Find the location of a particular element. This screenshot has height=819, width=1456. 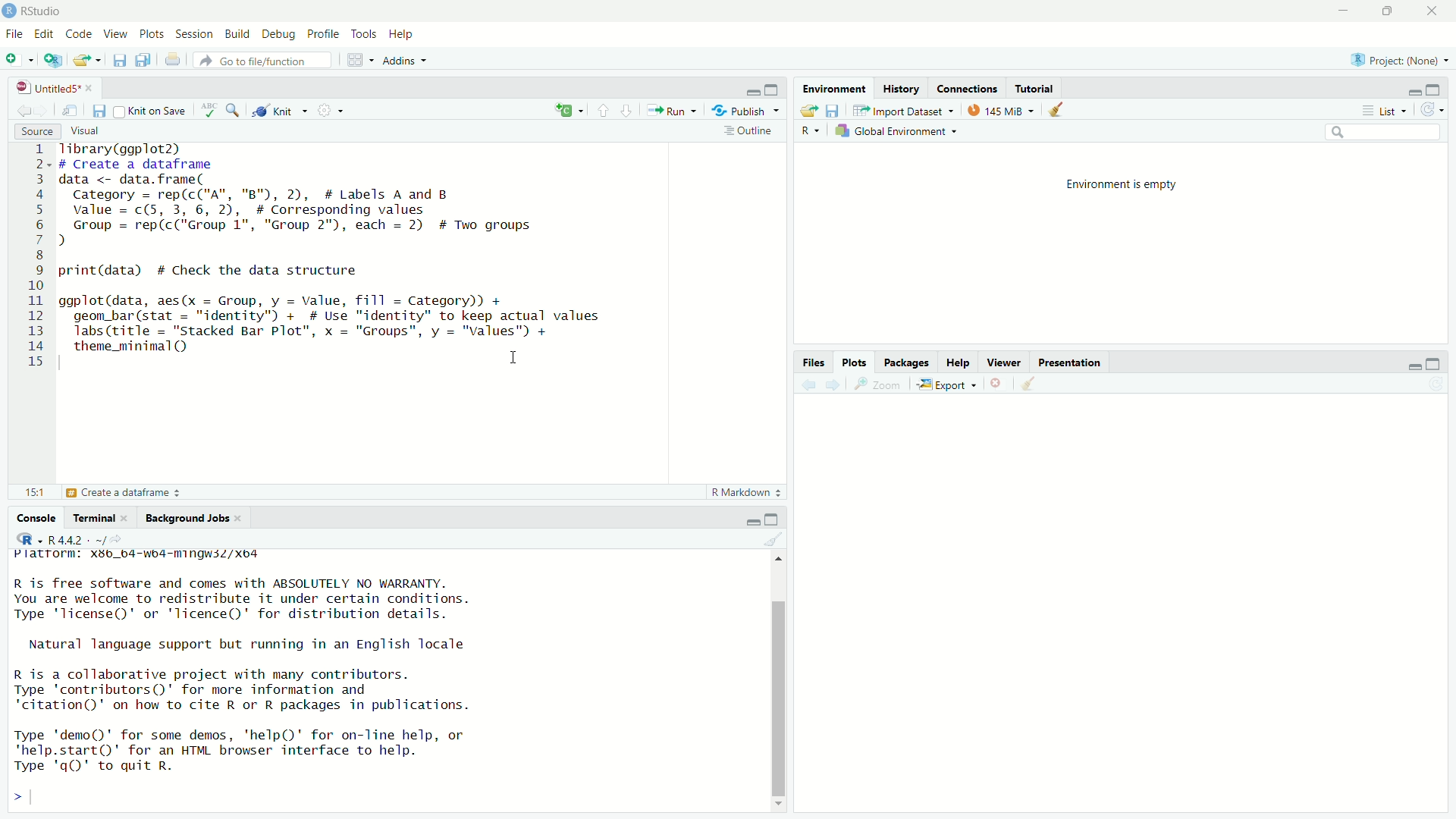

Scrollbar is located at coordinates (779, 691).